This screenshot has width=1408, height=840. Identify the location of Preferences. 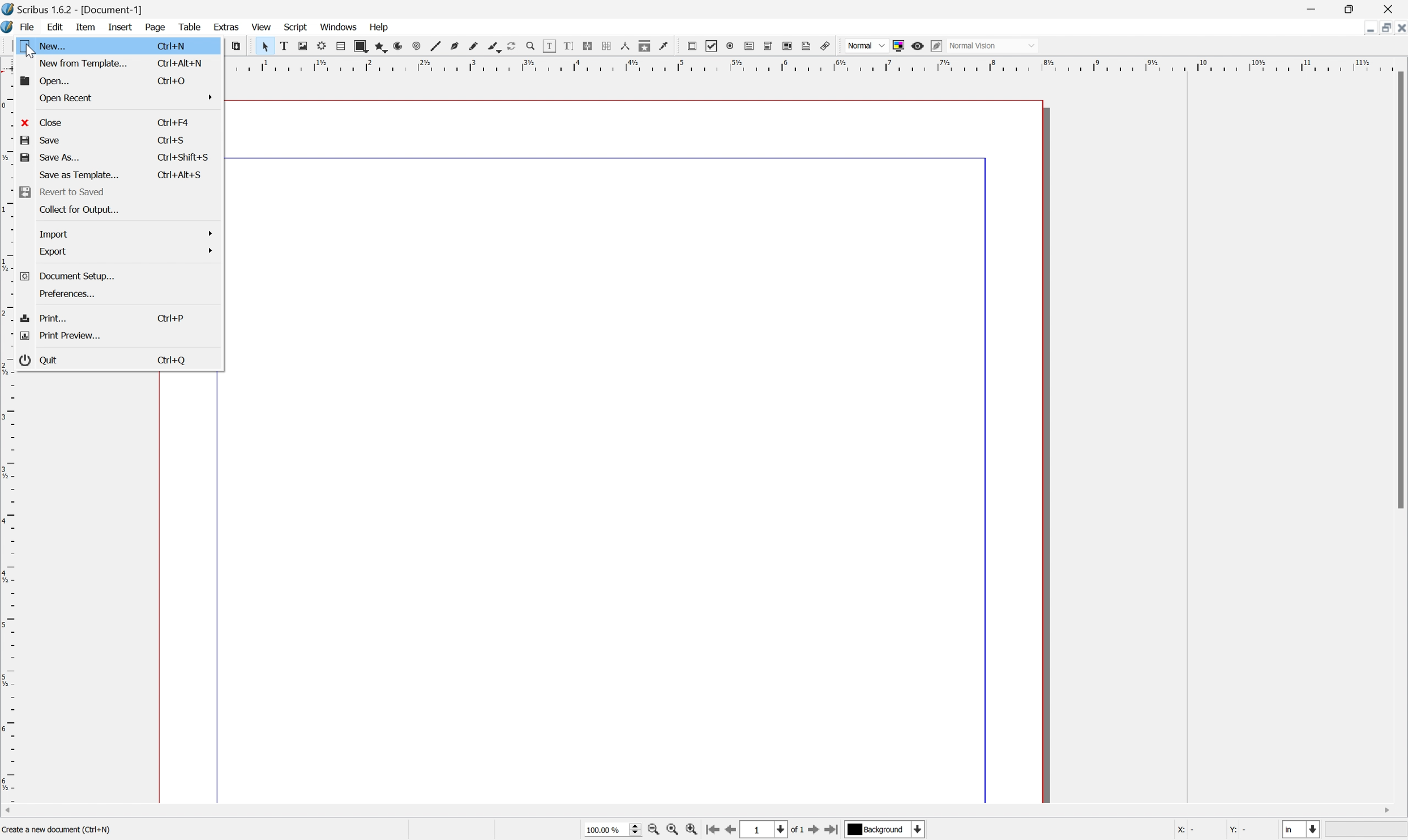
(68, 295).